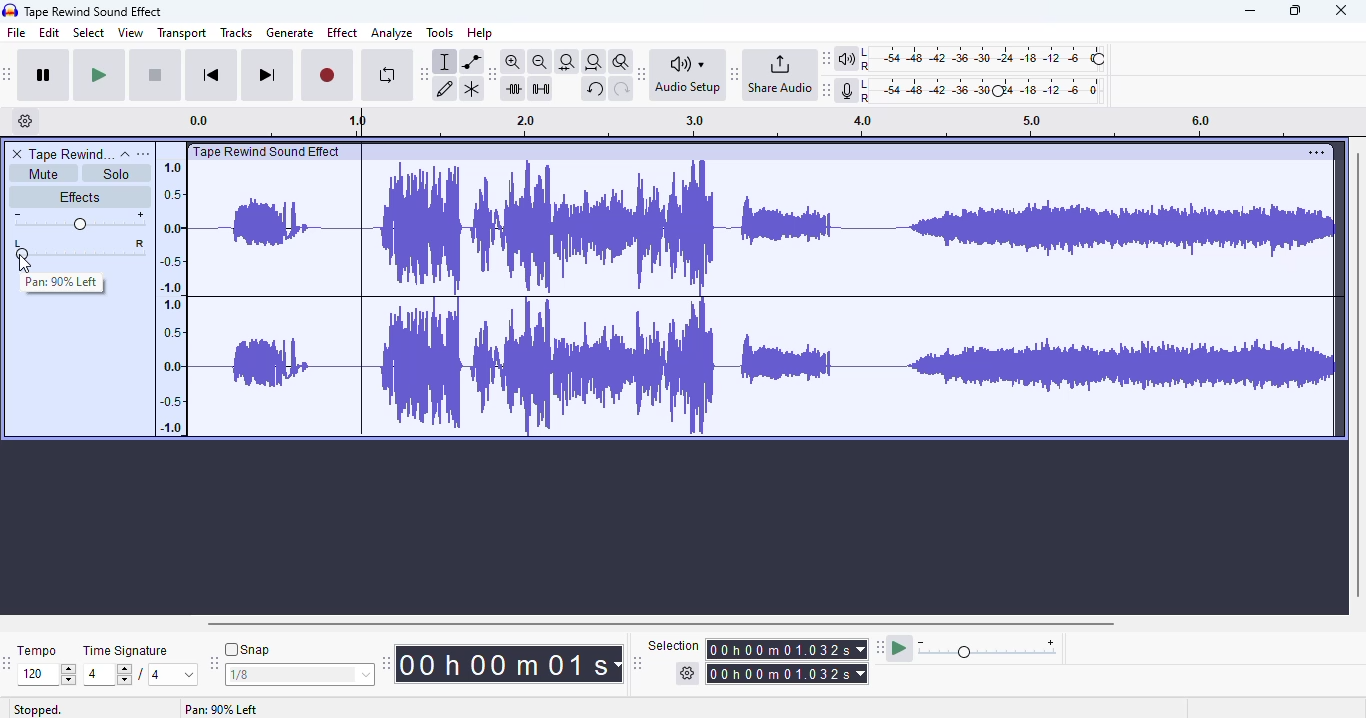 The image size is (1366, 718). I want to click on generate, so click(290, 33).